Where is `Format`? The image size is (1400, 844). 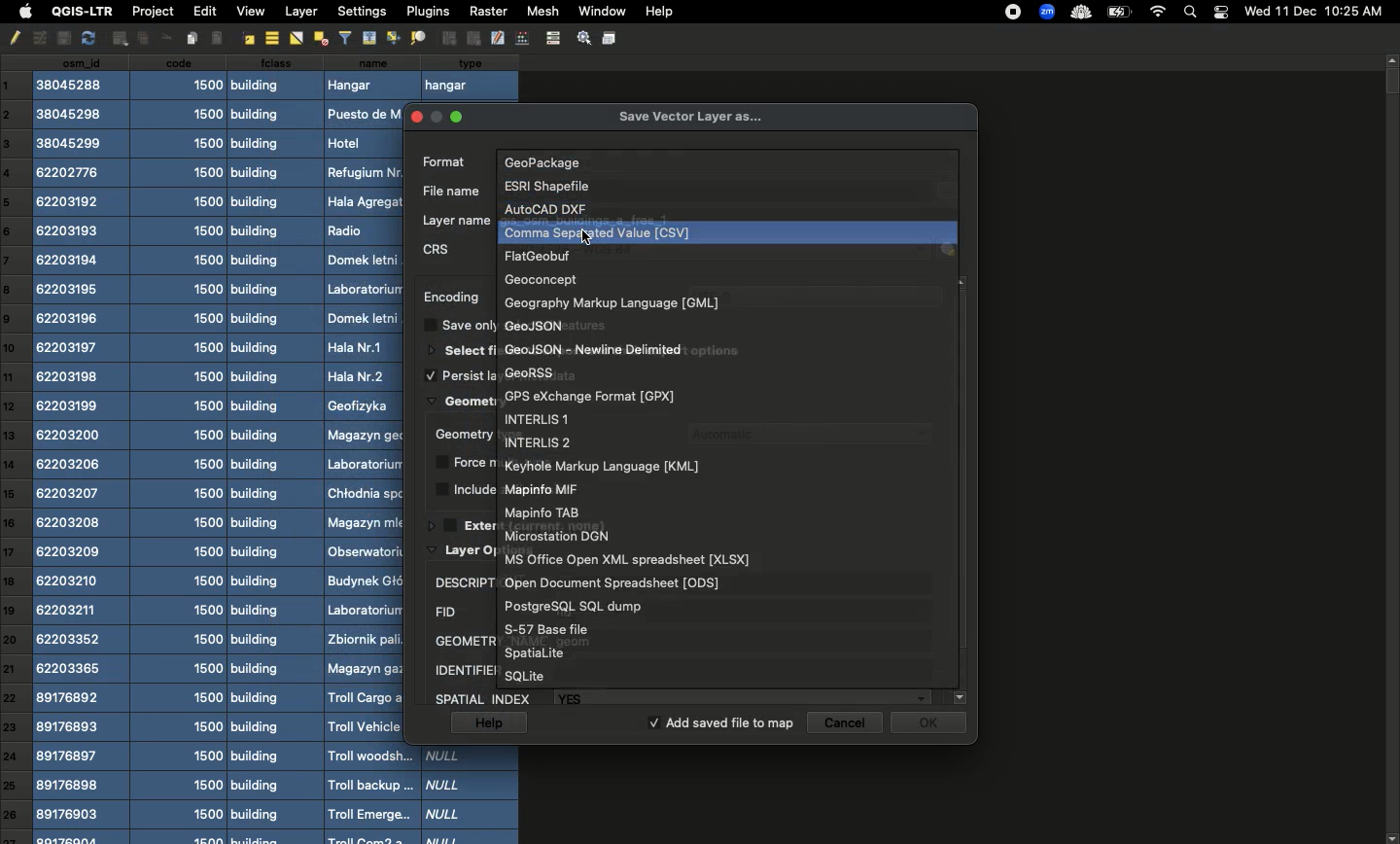
Format is located at coordinates (441, 161).